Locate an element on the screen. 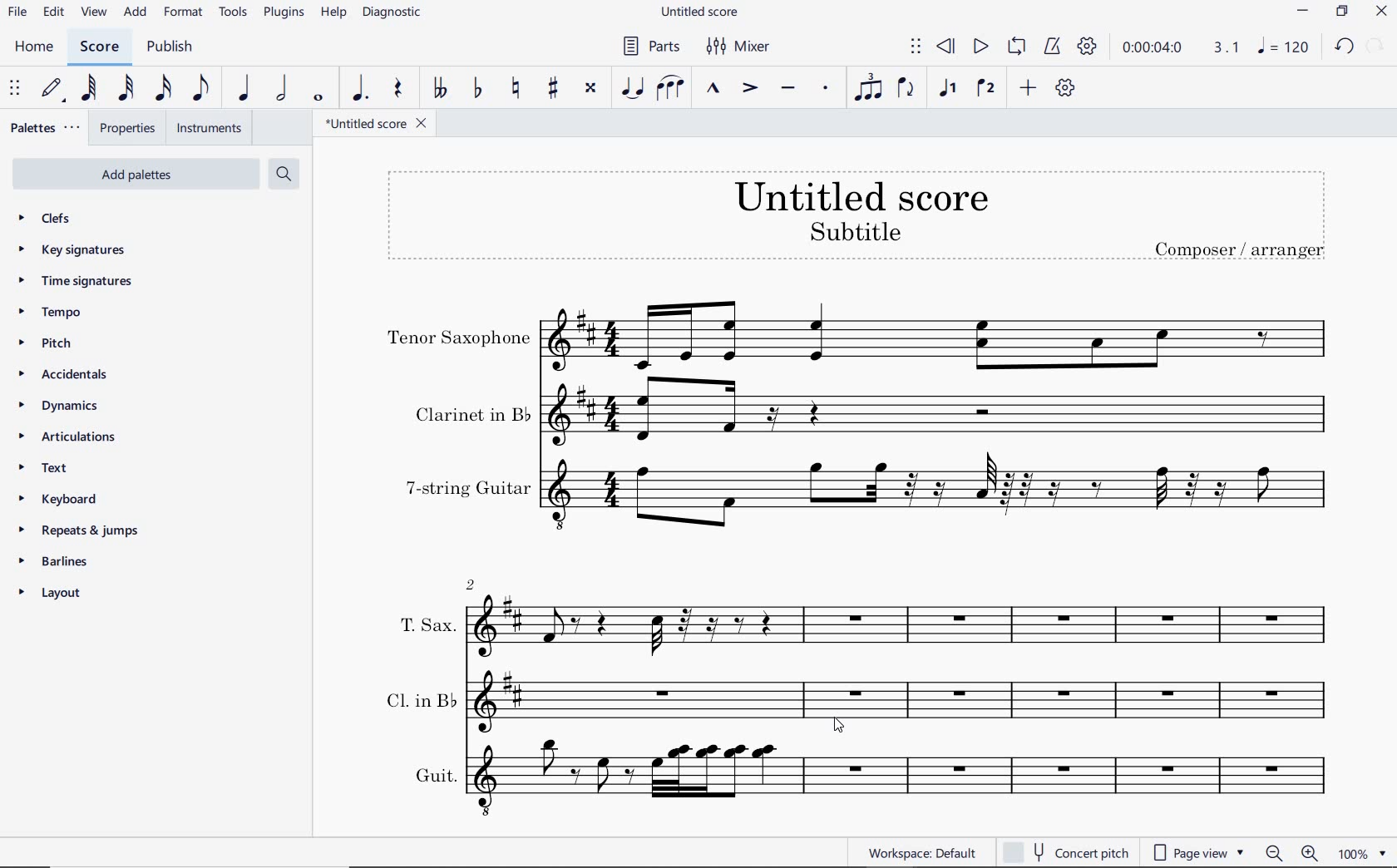 This screenshot has height=868, width=1397. Tenor Saxophone is located at coordinates (857, 334).